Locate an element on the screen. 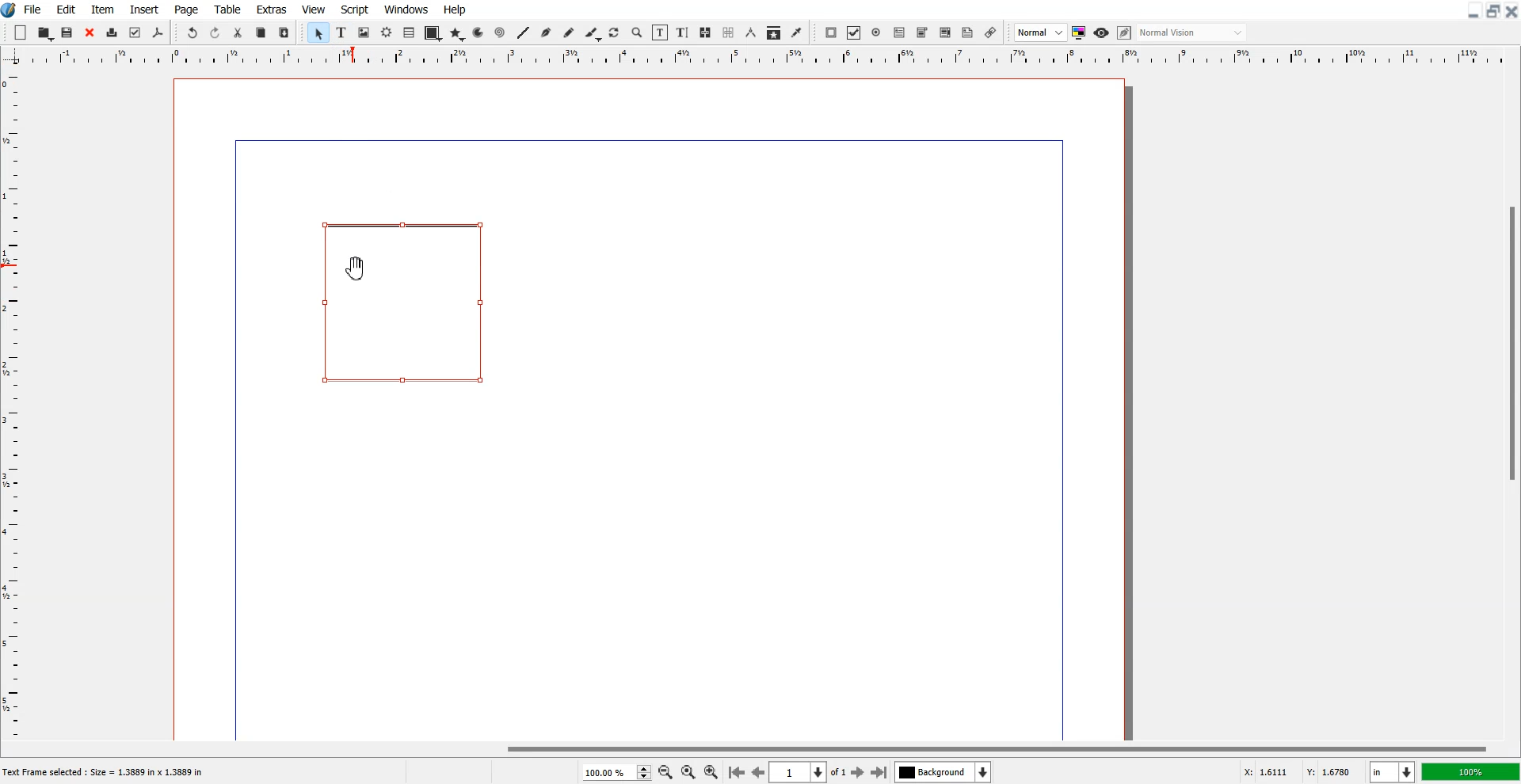 The image size is (1521, 784). Edit content of frame is located at coordinates (660, 32).